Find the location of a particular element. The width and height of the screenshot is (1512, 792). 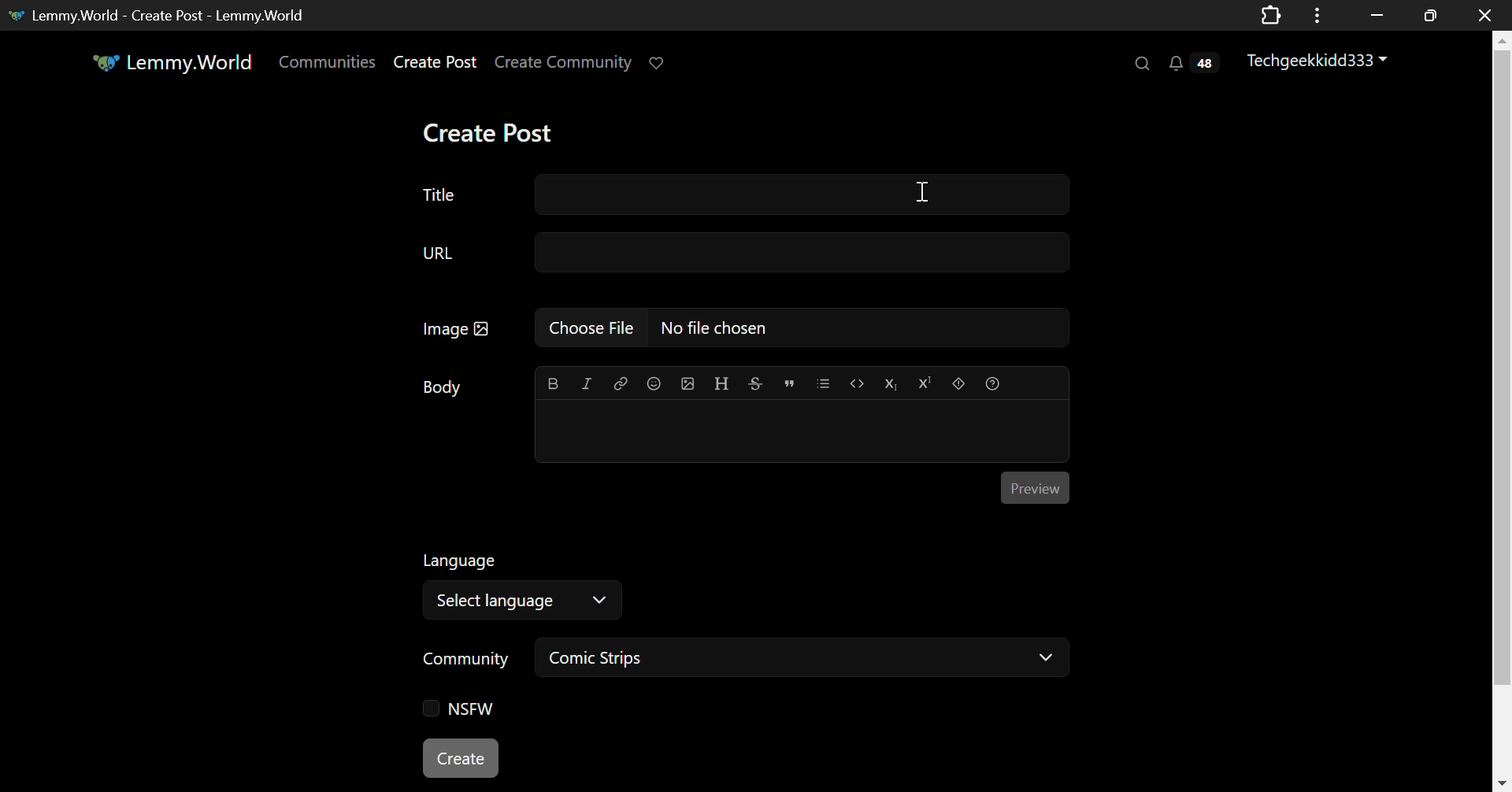

Code is located at coordinates (857, 383).